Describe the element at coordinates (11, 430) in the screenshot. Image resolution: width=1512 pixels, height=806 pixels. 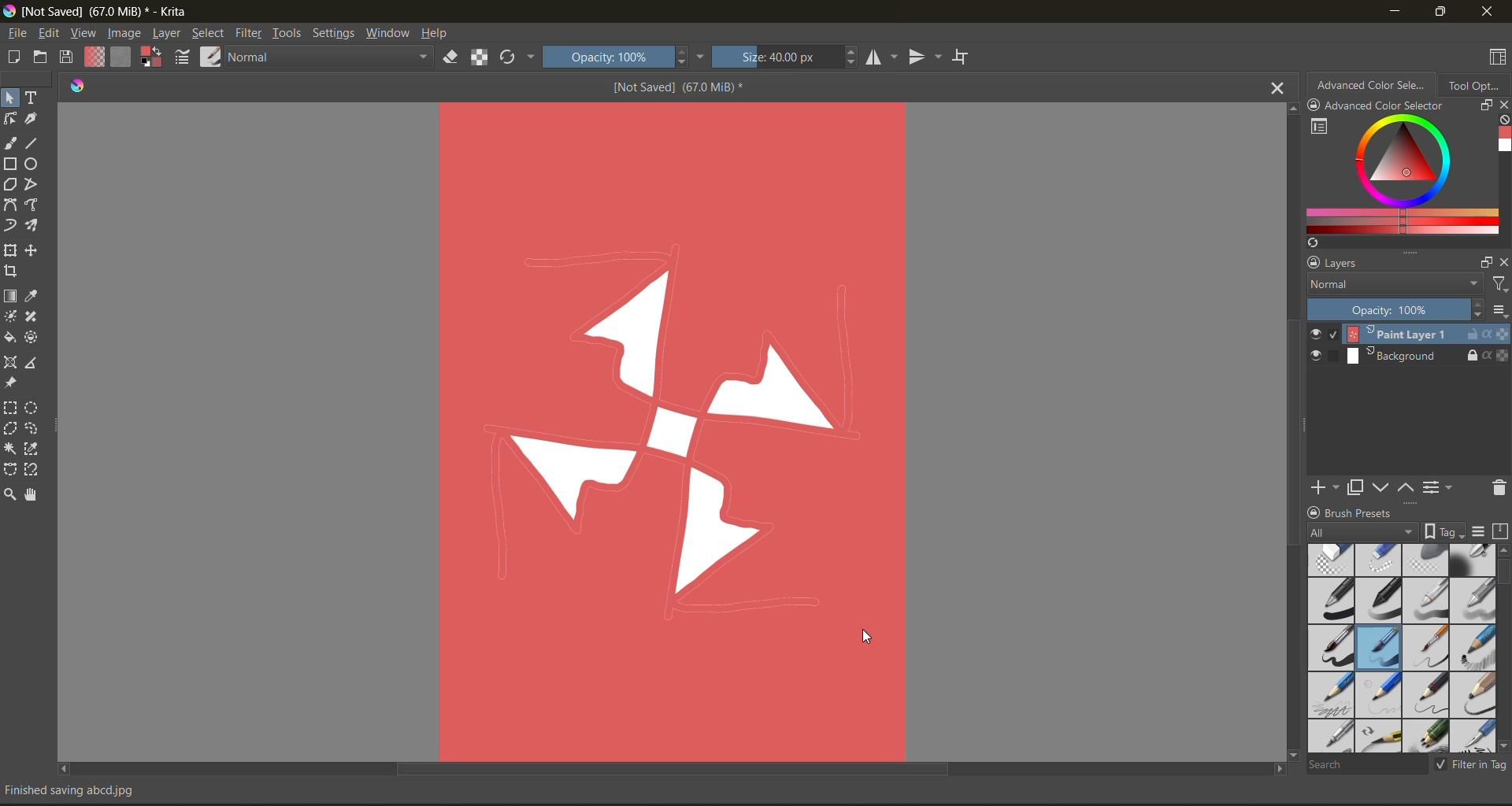
I see `tools` at that location.